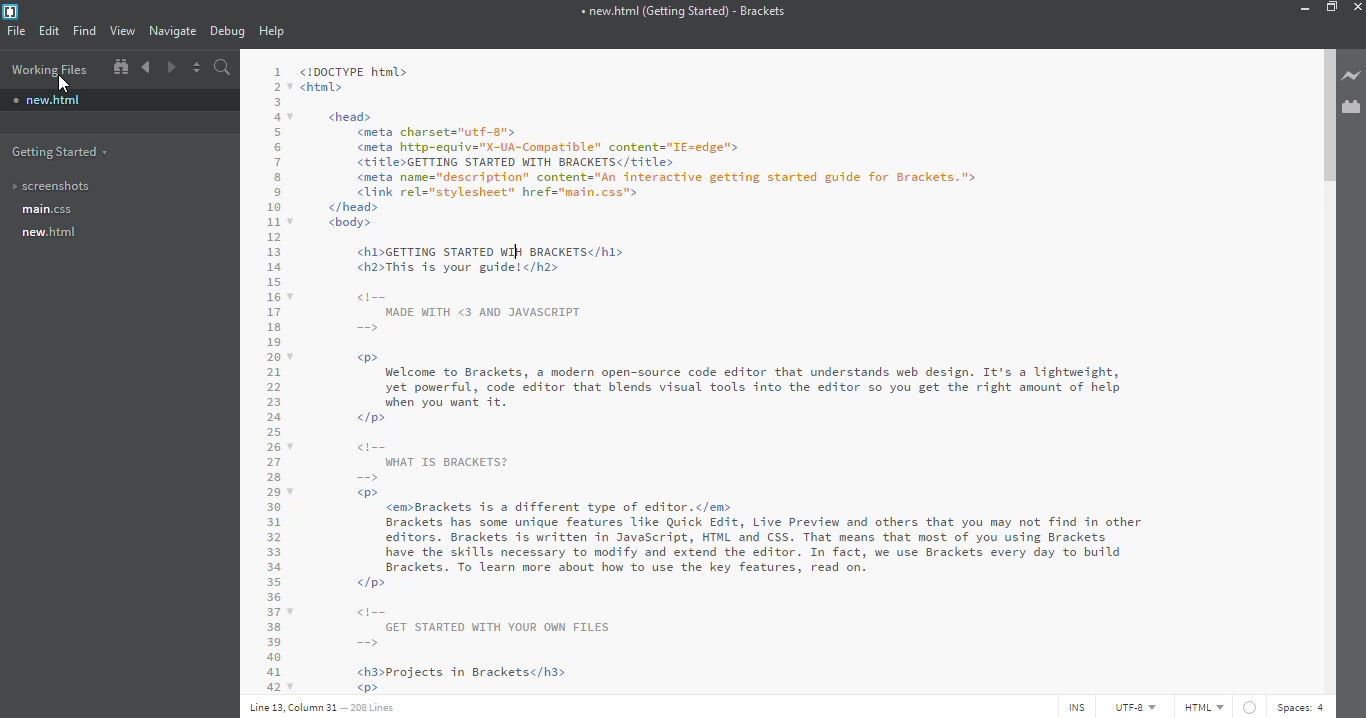  I want to click on brackets, so click(9, 12).